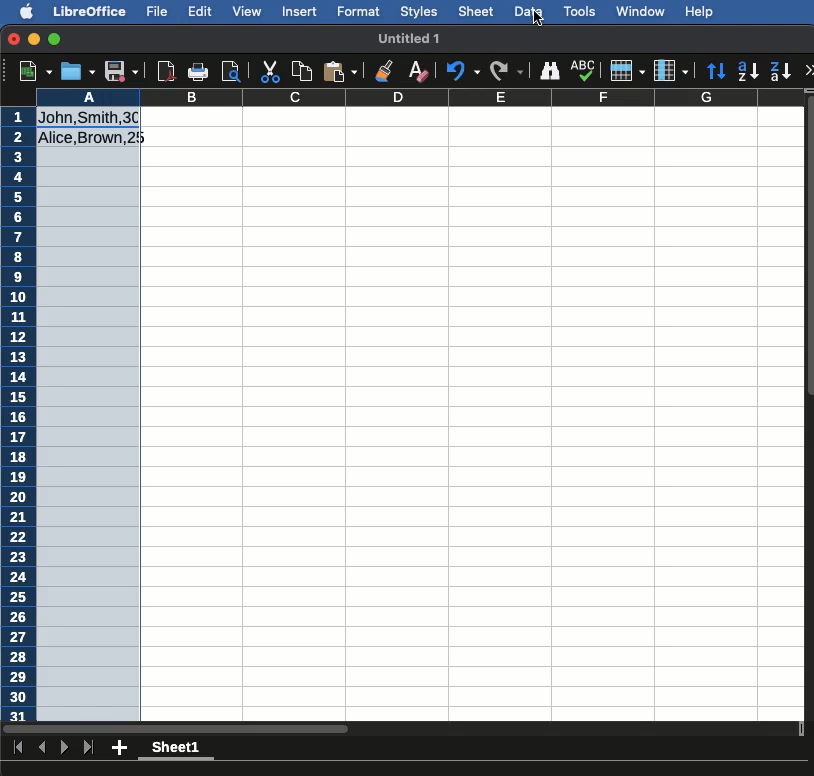  I want to click on Last sheet, so click(88, 748).